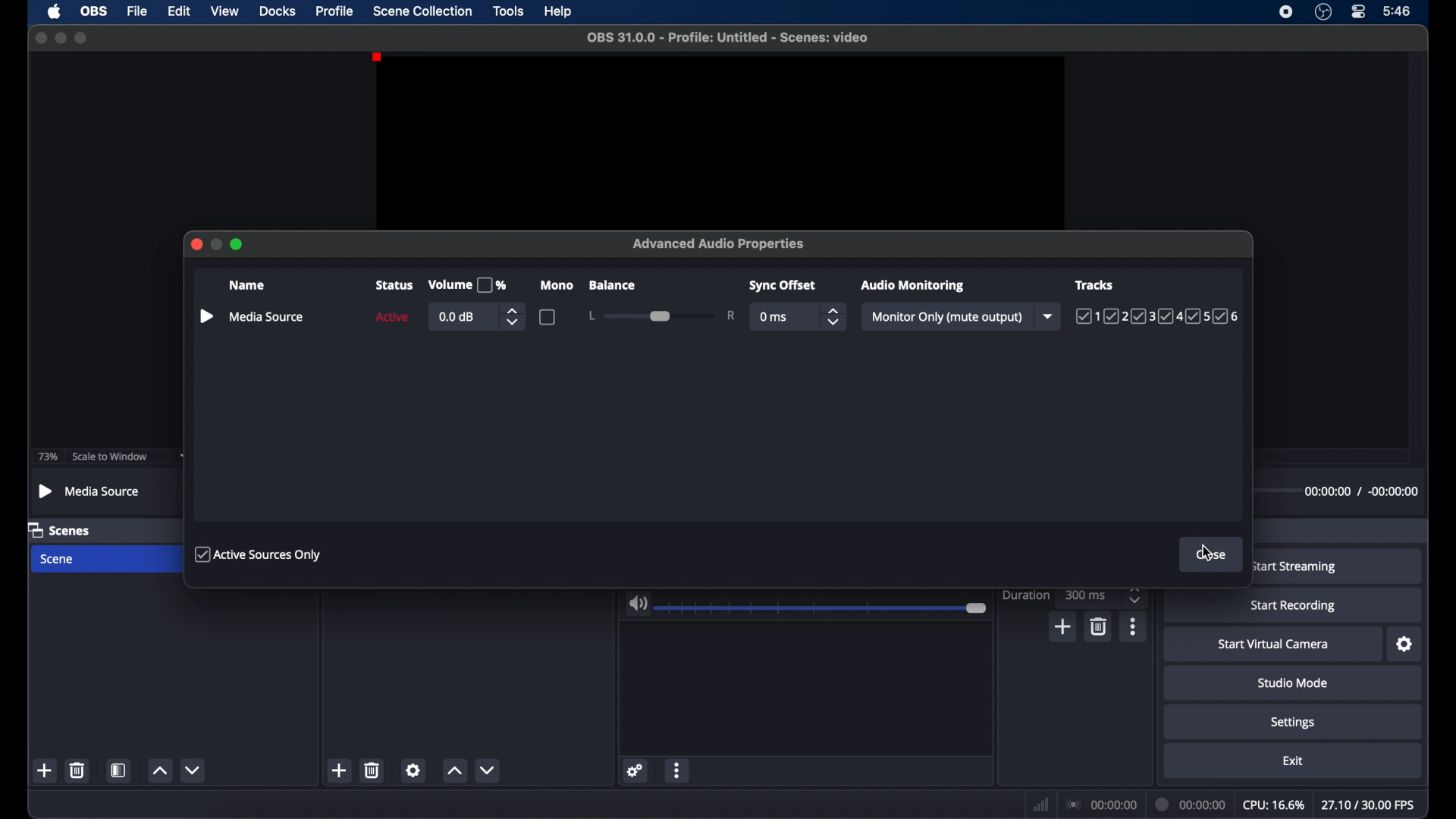 Image resolution: width=1456 pixels, height=819 pixels. What do you see at coordinates (611, 285) in the screenshot?
I see `balance` at bounding box center [611, 285].